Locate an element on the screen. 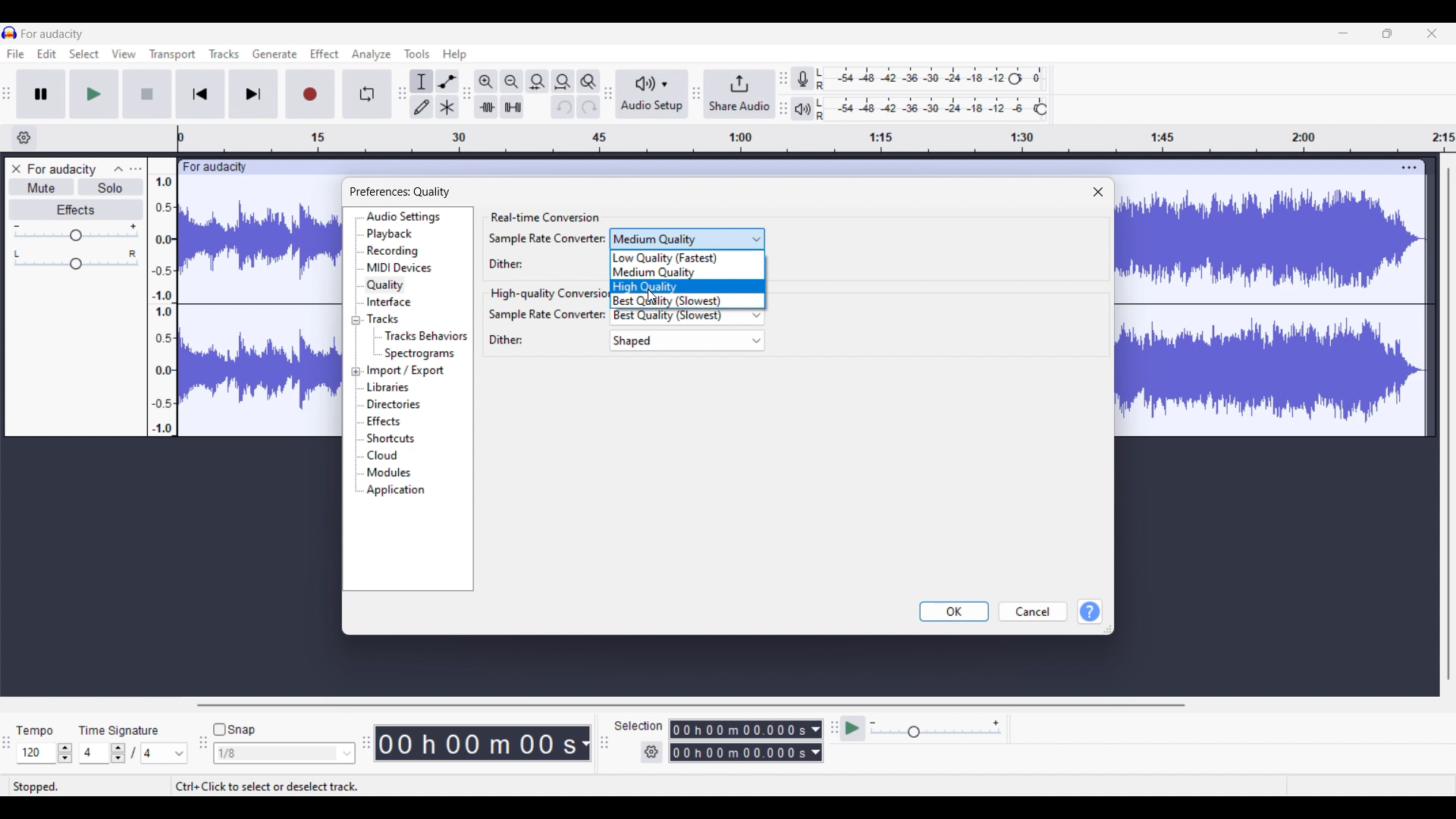 The image size is (1456, 819). Silence audio selection is located at coordinates (513, 107).